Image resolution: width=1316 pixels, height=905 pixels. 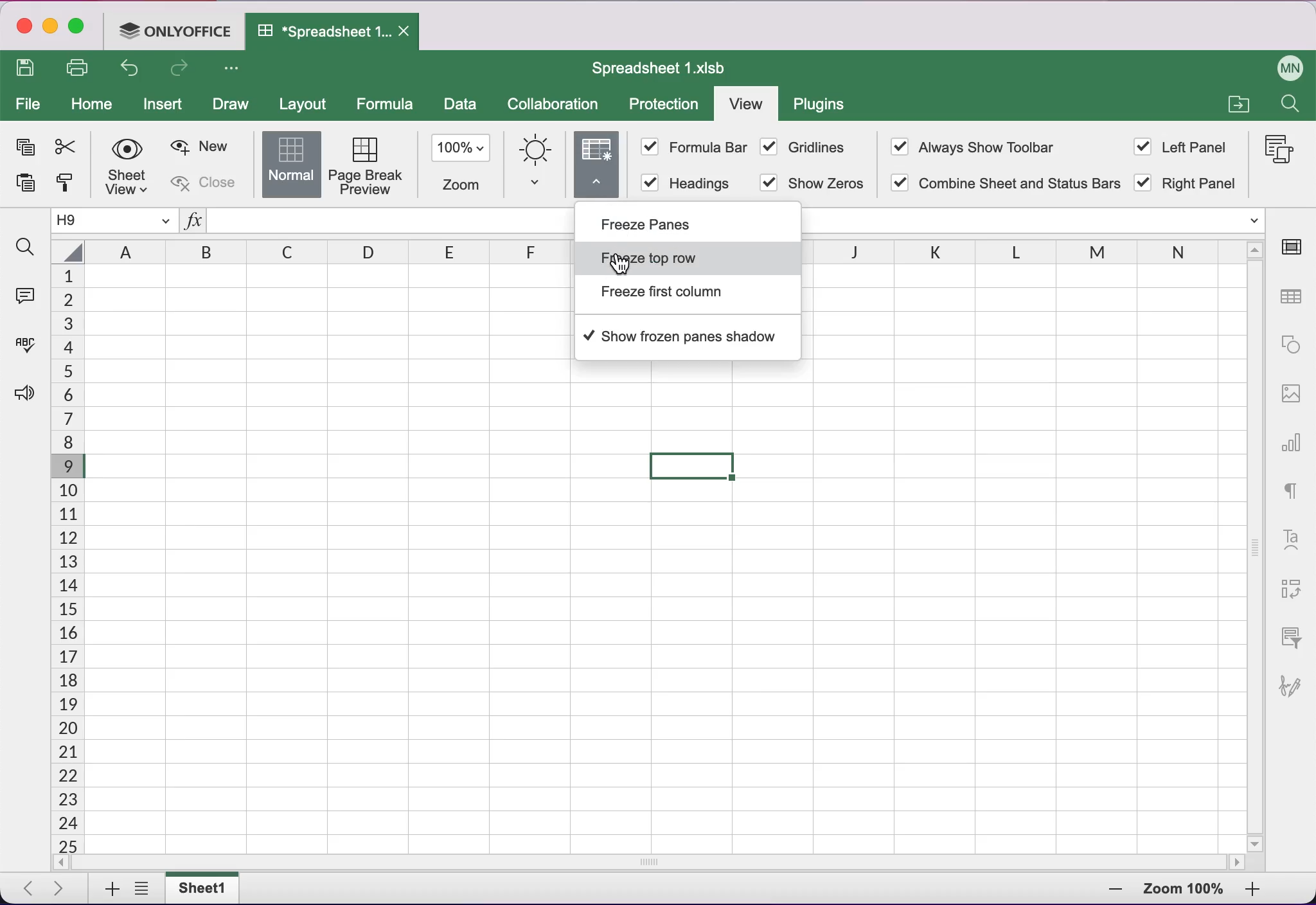 What do you see at coordinates (107, 890) in the screenshot?
I see `add tab` at bounding box center [107, 890].